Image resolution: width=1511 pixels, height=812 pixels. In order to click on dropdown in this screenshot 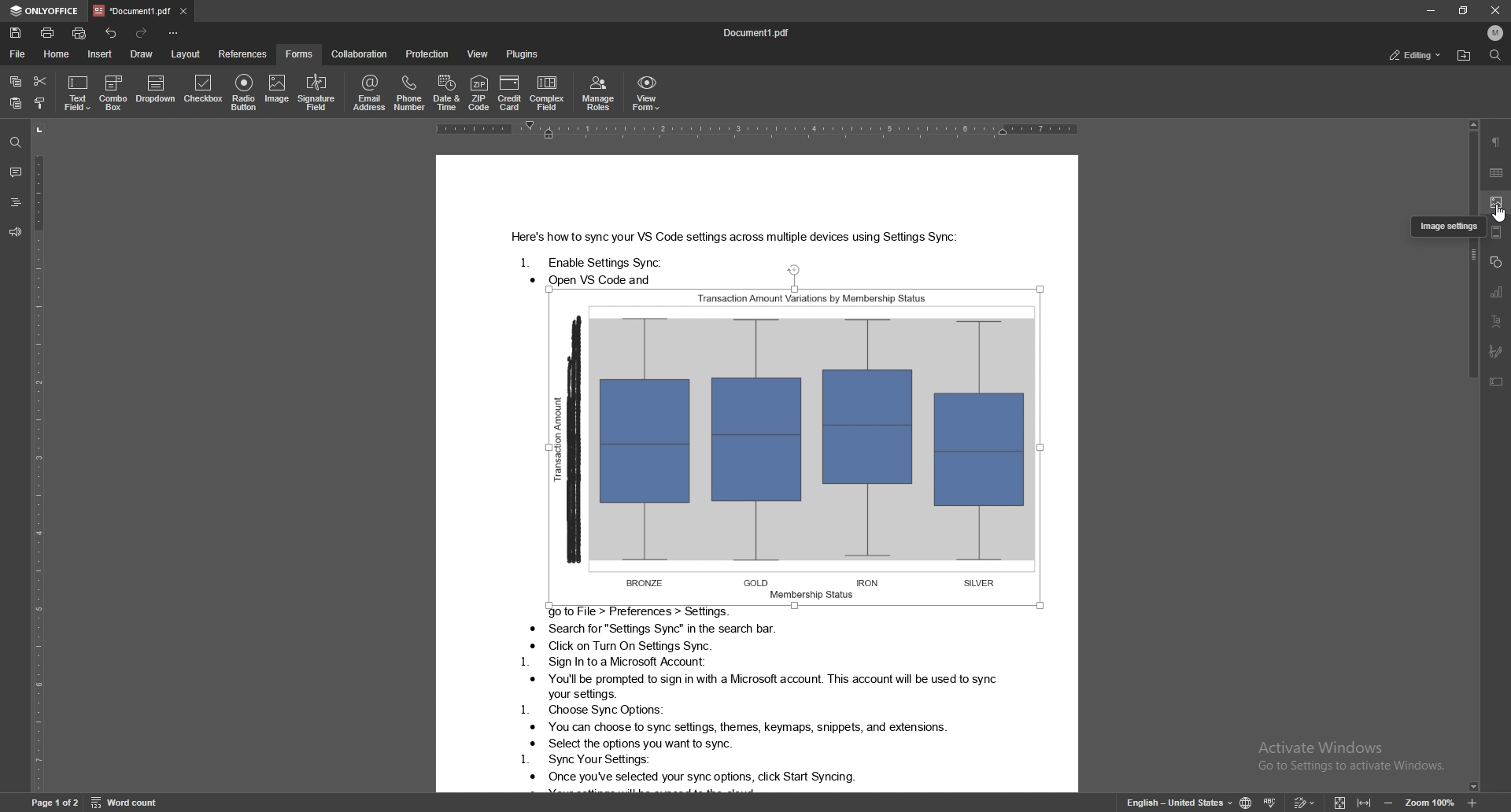, I will do `click(157, 91)`.